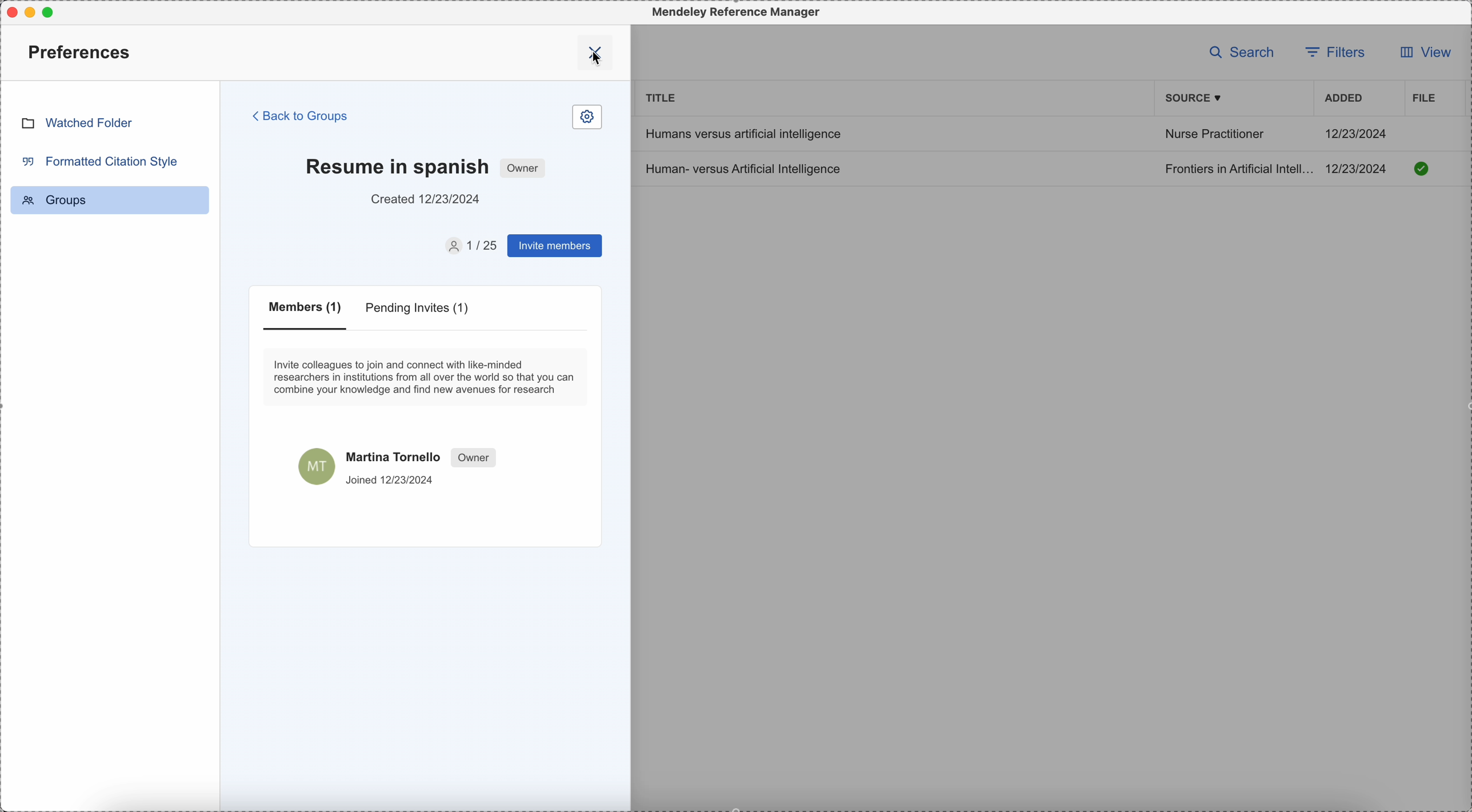 The height and width of the screenshot is (812, 1472). I want to click on back to groups, so click(301, 115).